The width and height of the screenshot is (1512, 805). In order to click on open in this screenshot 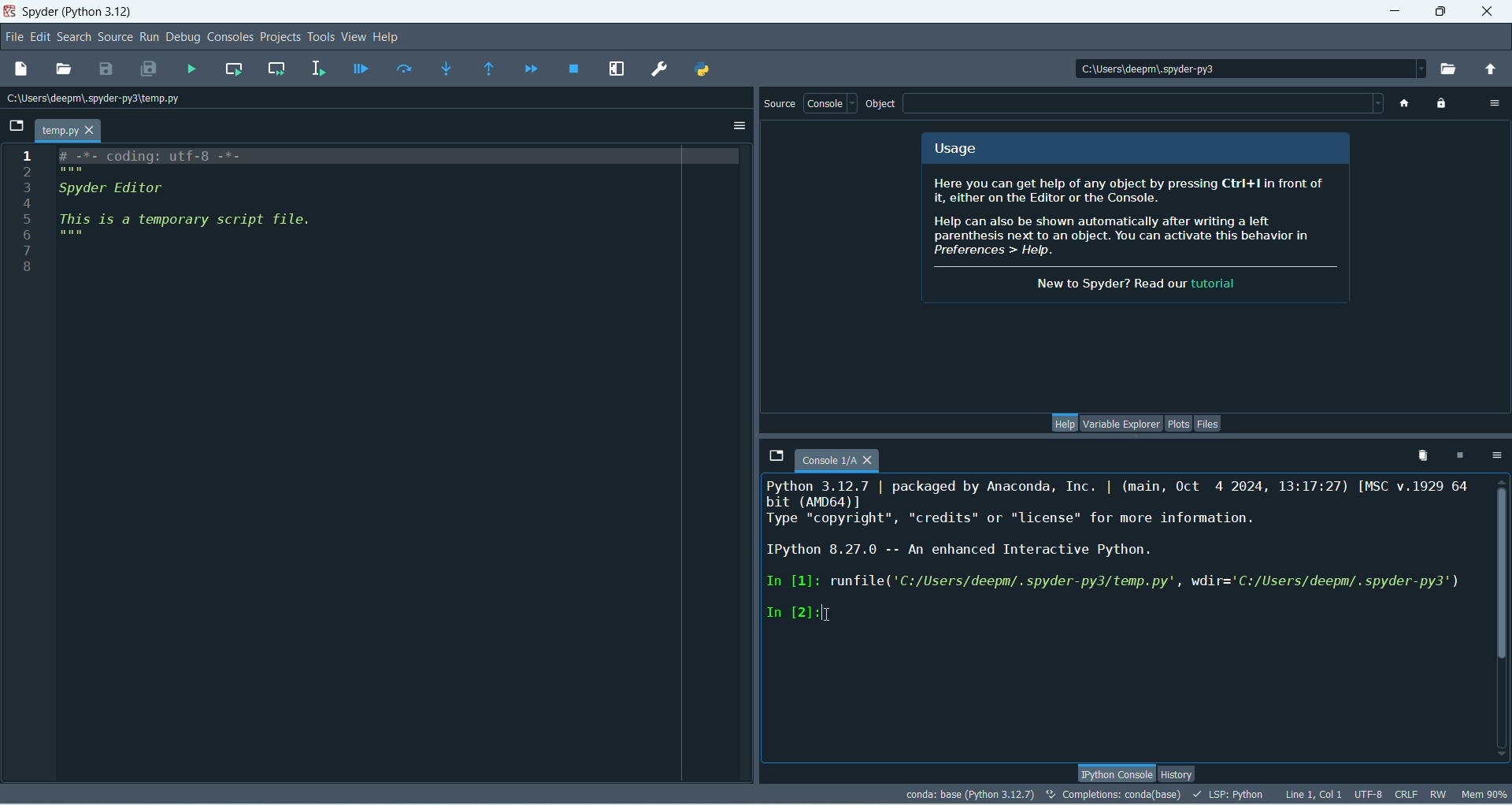, I will do `click(63, 69)`.